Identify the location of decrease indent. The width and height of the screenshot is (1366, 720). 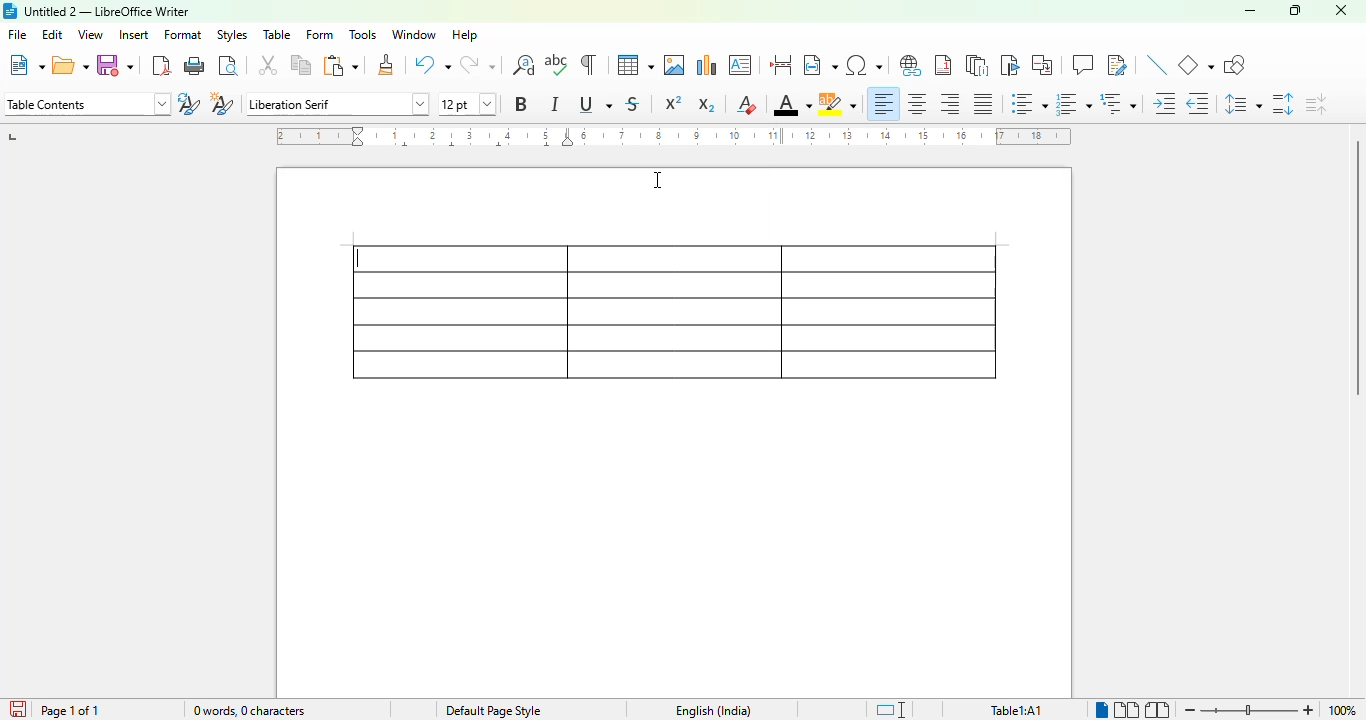
(1199, 103).